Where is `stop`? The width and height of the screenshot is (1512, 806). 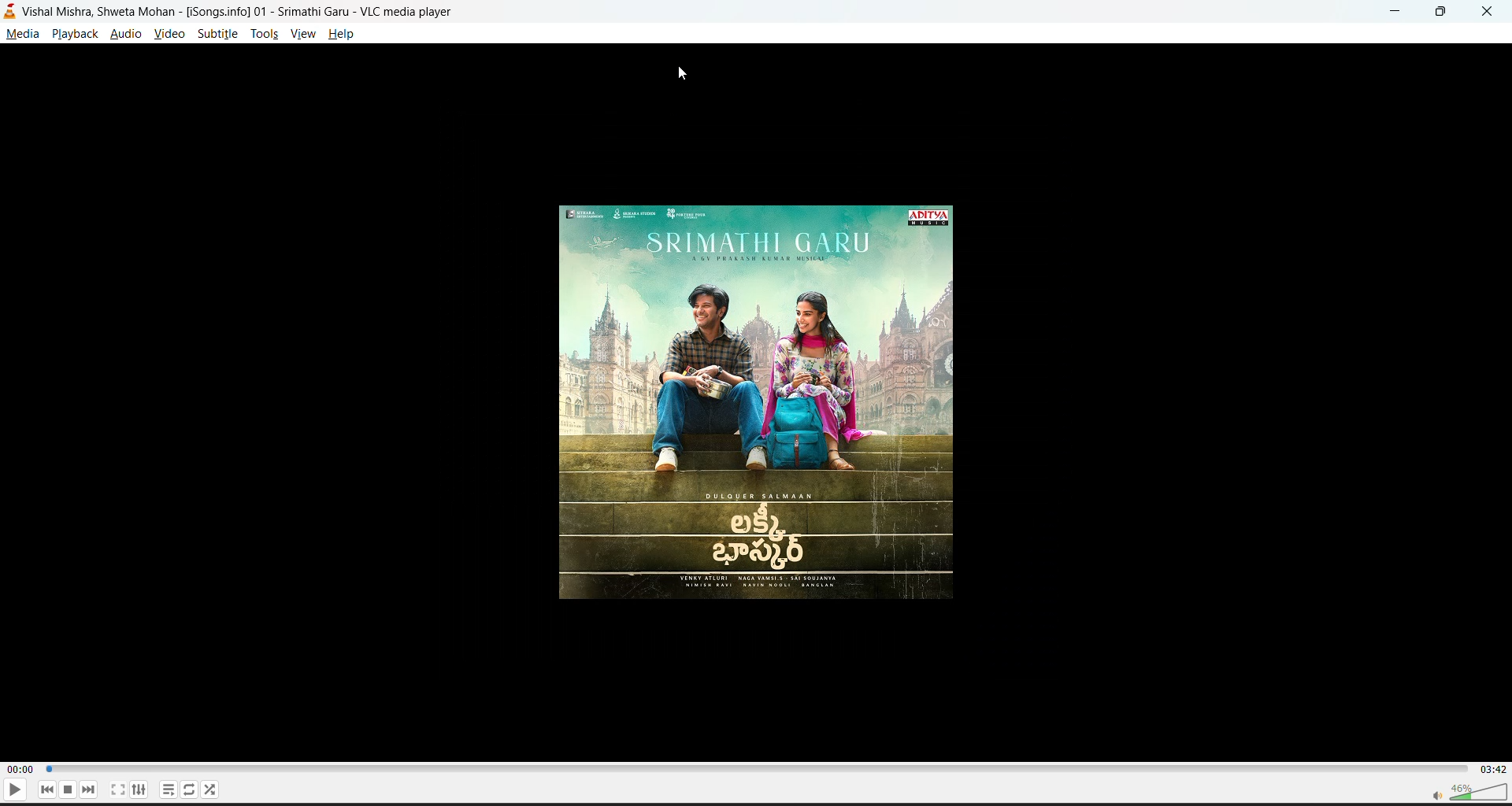 stop is located at coordinates (65, 788).